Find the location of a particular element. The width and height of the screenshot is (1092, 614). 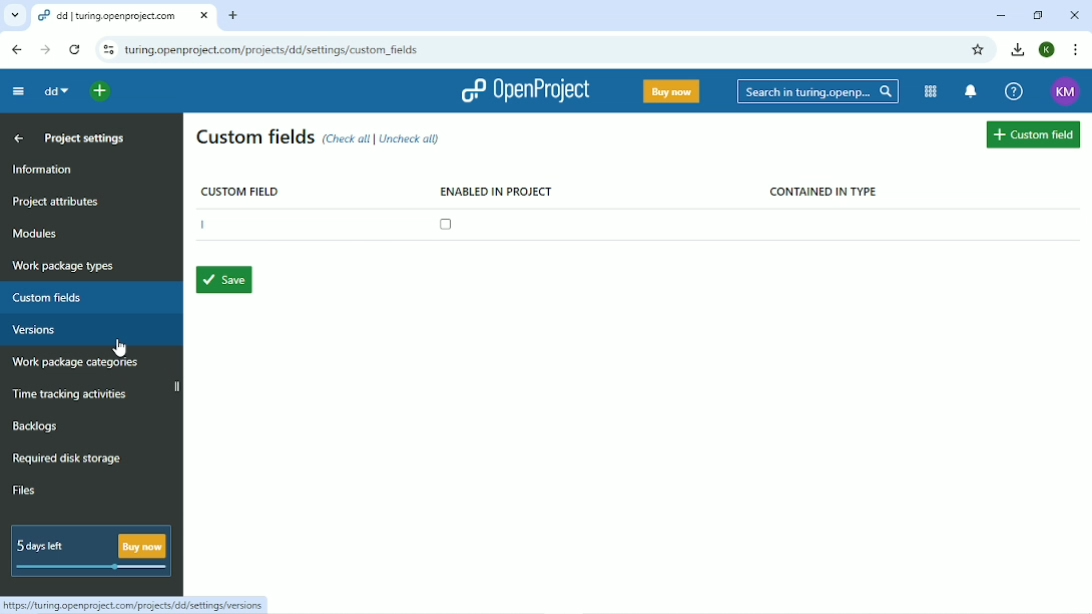

Versions is located at coordinates (33, 330).